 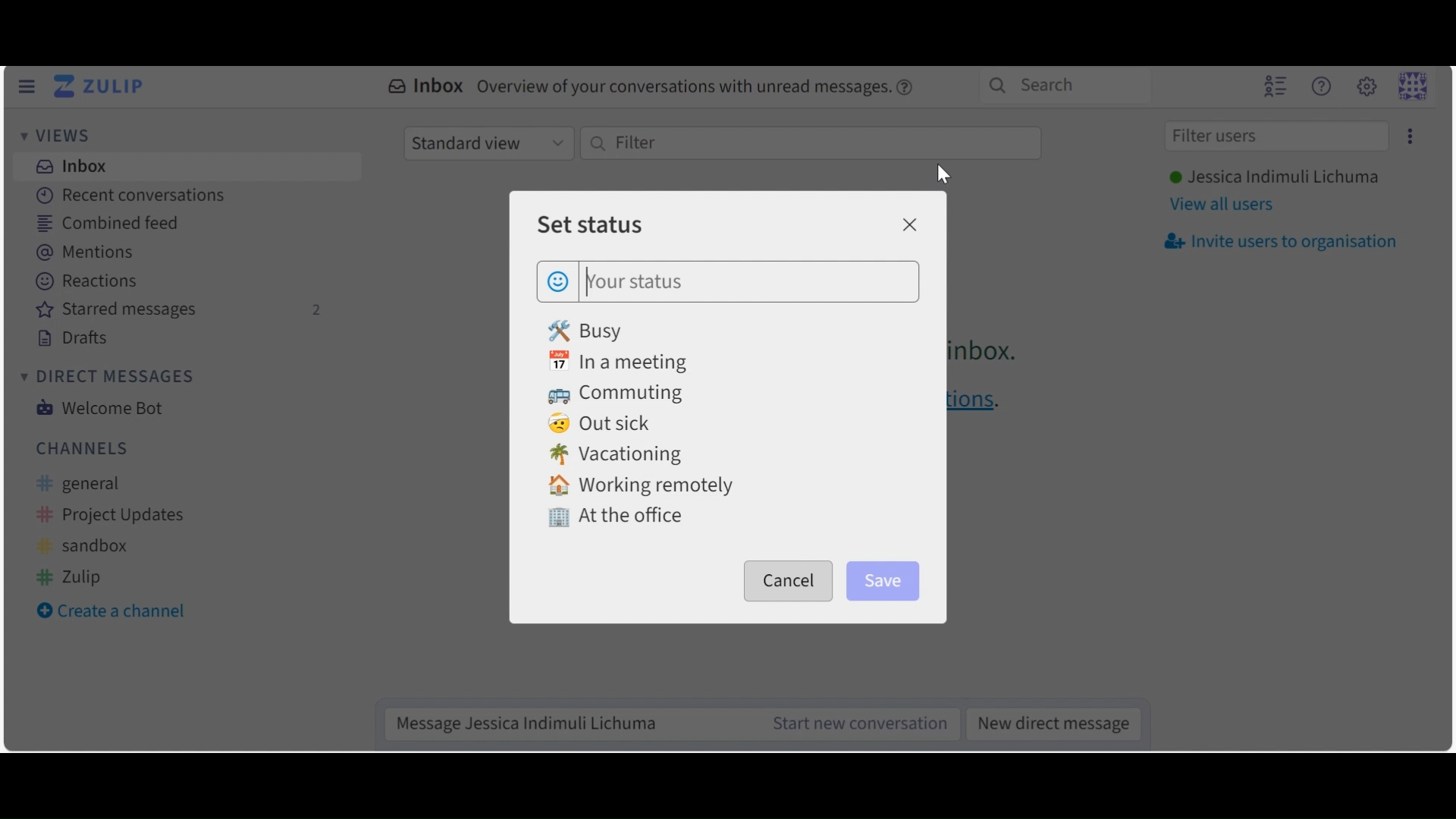 I want to click on In a meeting, so click(x=625, y=362).